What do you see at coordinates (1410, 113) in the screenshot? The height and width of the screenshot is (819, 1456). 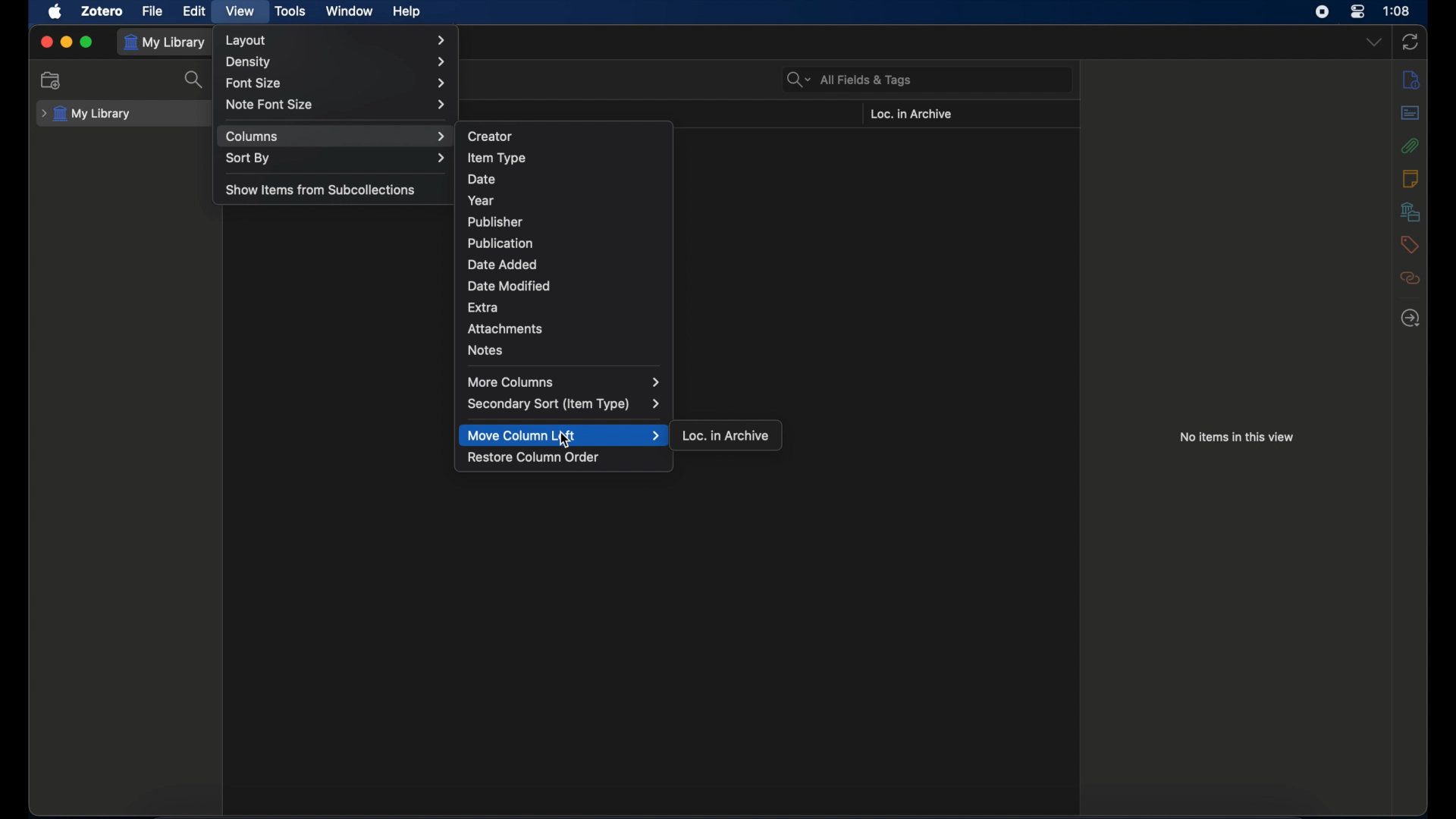 I see `abstract` at bounding box center [1410, 113].